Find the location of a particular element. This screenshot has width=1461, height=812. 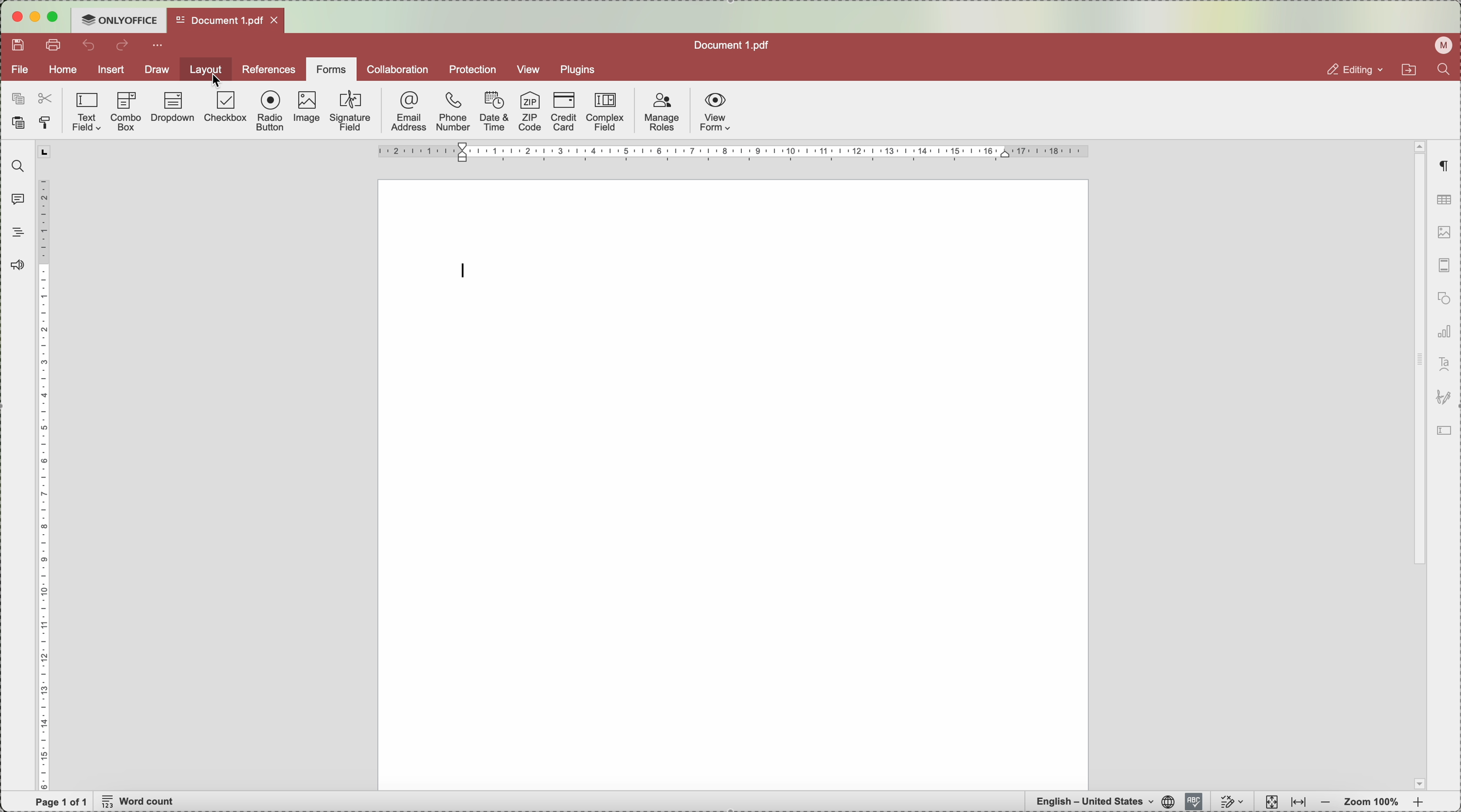

zoom out is located at coordinates (1325, 803).